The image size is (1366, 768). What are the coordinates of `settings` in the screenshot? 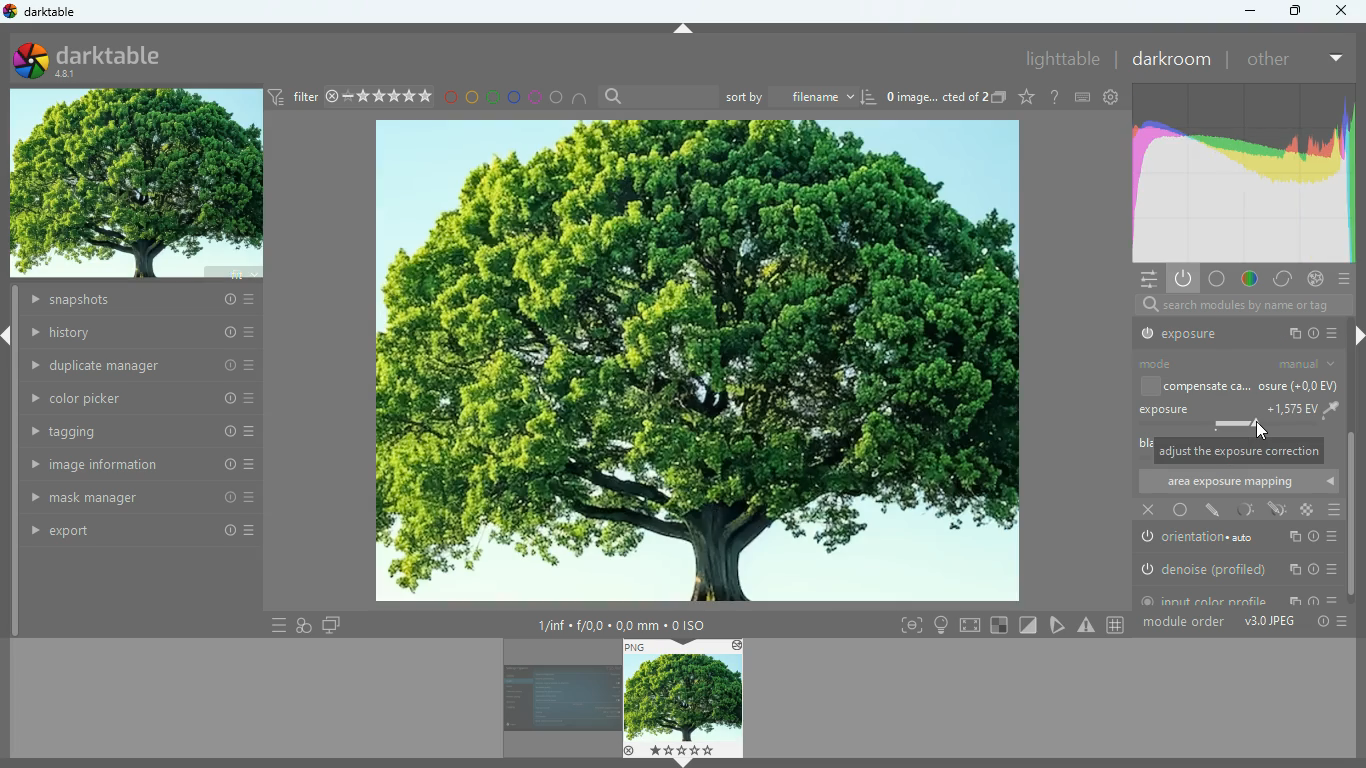 It's located at (1113, 97).